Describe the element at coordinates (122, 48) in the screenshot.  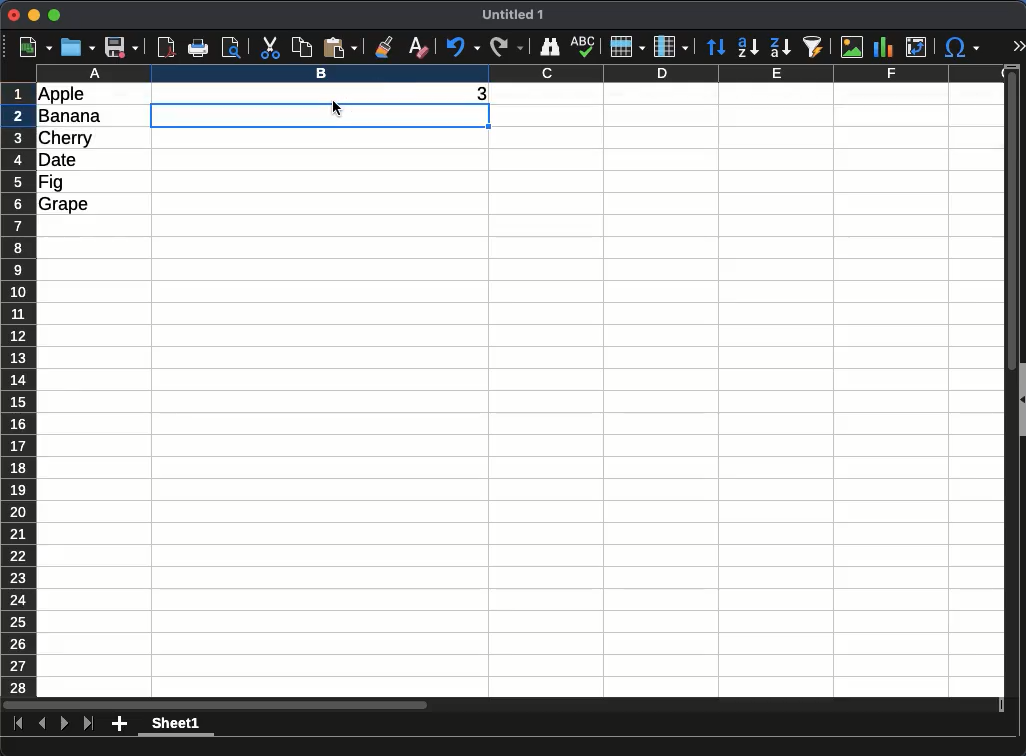
I see `save` at that location.